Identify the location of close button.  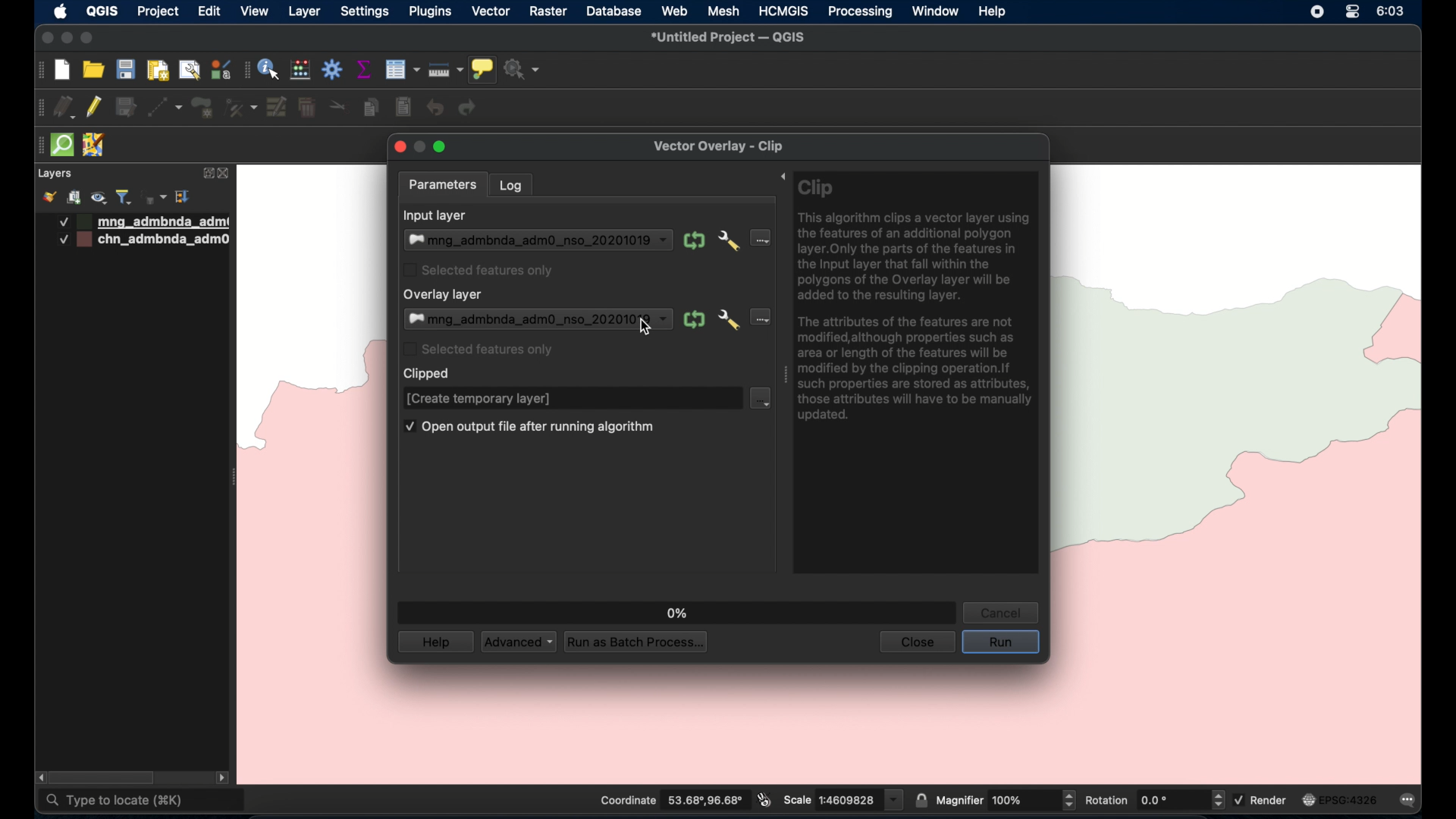
(397, 146).